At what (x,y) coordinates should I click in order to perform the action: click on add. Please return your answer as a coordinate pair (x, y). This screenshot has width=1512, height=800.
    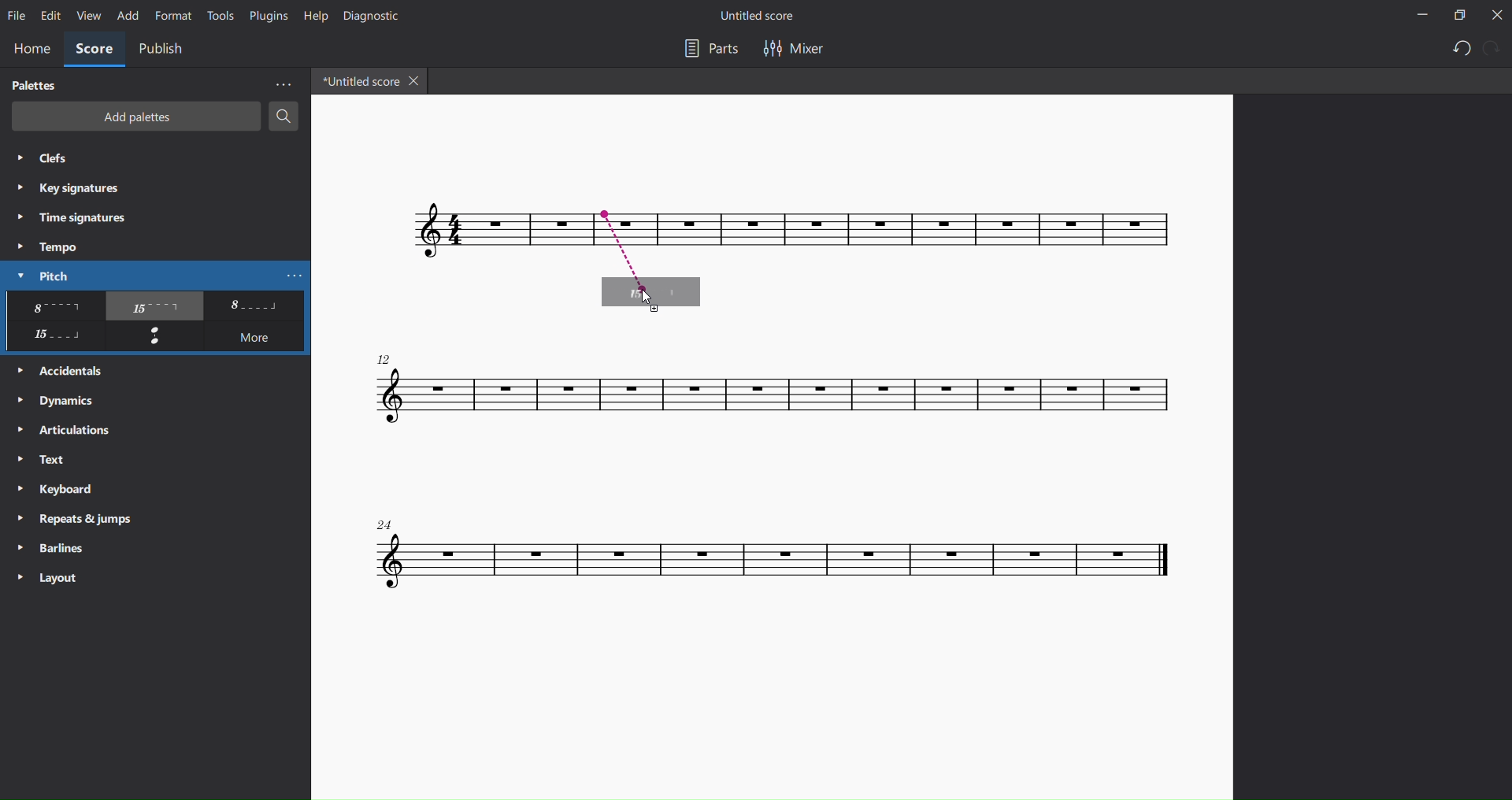
    Looking at the image, I should click on (124, 15).